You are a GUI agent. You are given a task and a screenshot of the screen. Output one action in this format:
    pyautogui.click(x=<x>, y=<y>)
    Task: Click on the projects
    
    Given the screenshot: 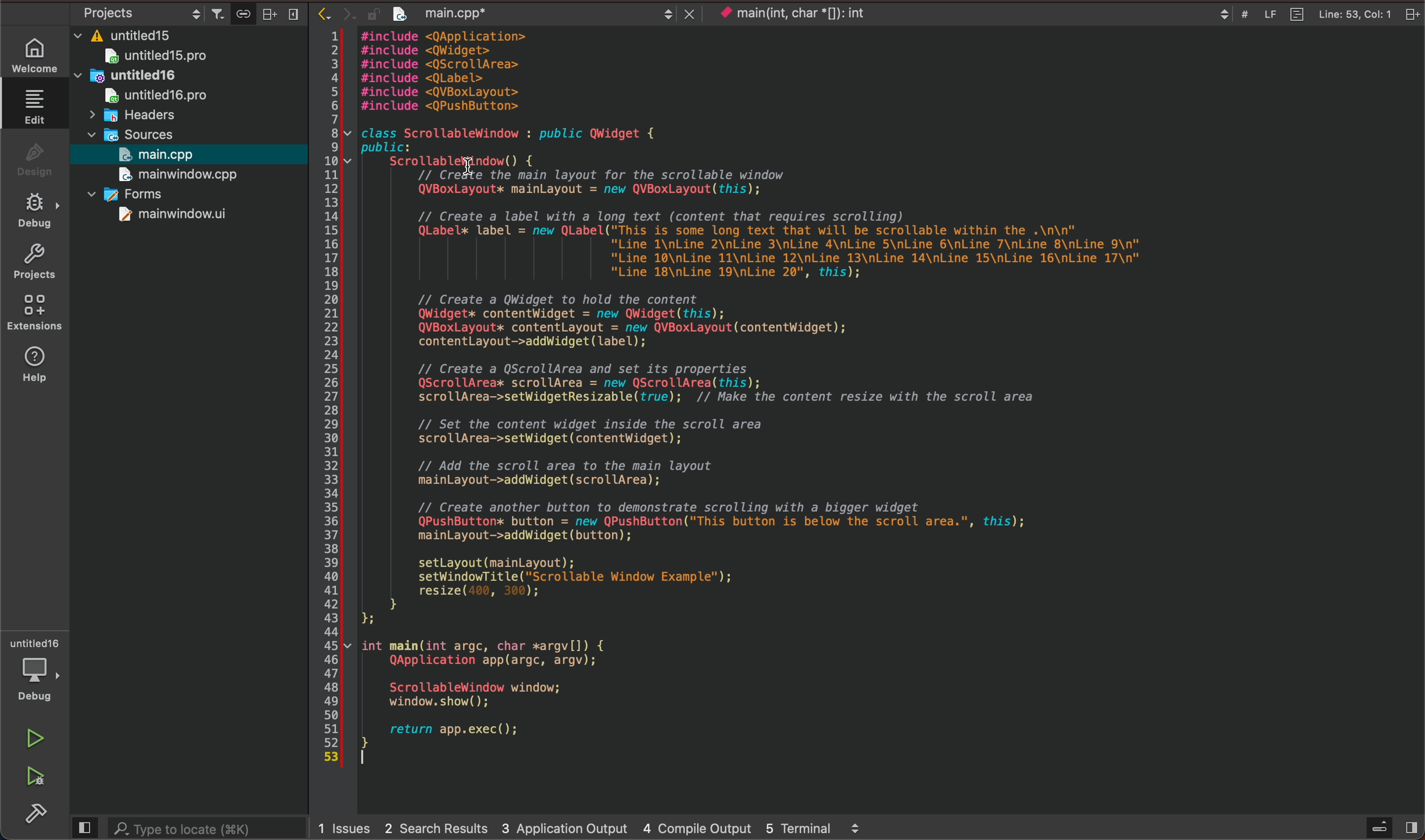 What is the action you would take?
    pyautogui.click(x=33, y=263)
    